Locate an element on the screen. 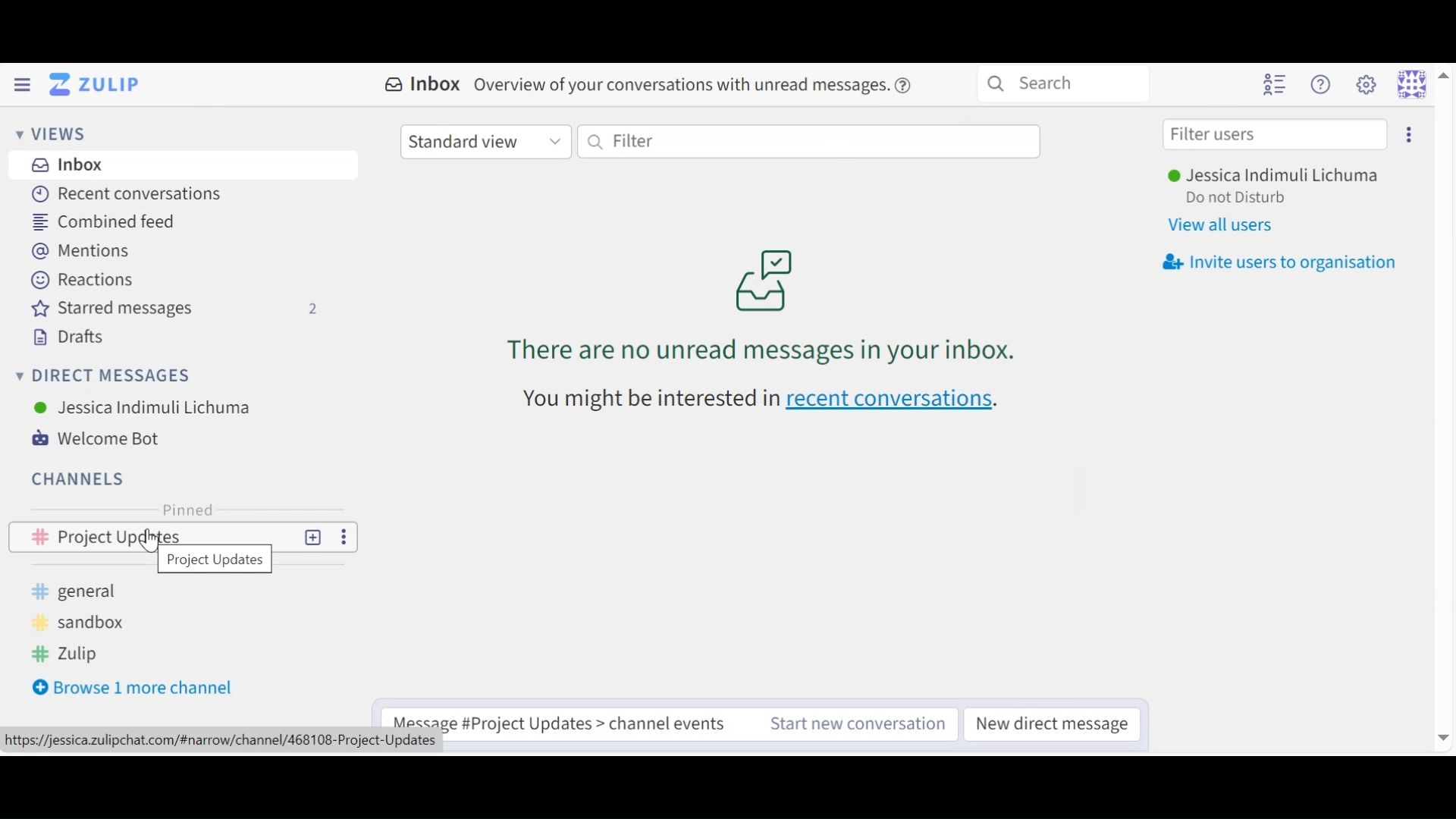  Drafts is located at coordinates (71, 337).